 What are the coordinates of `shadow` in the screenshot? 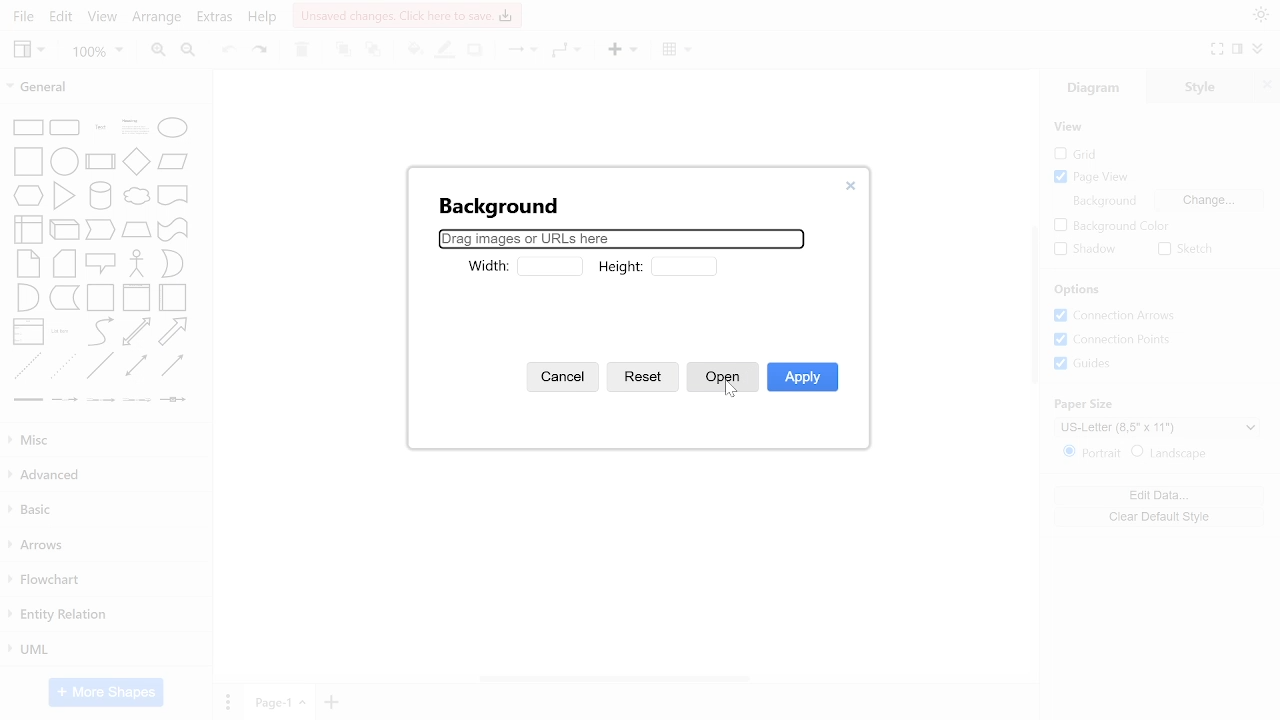 It's located at (477, 51).